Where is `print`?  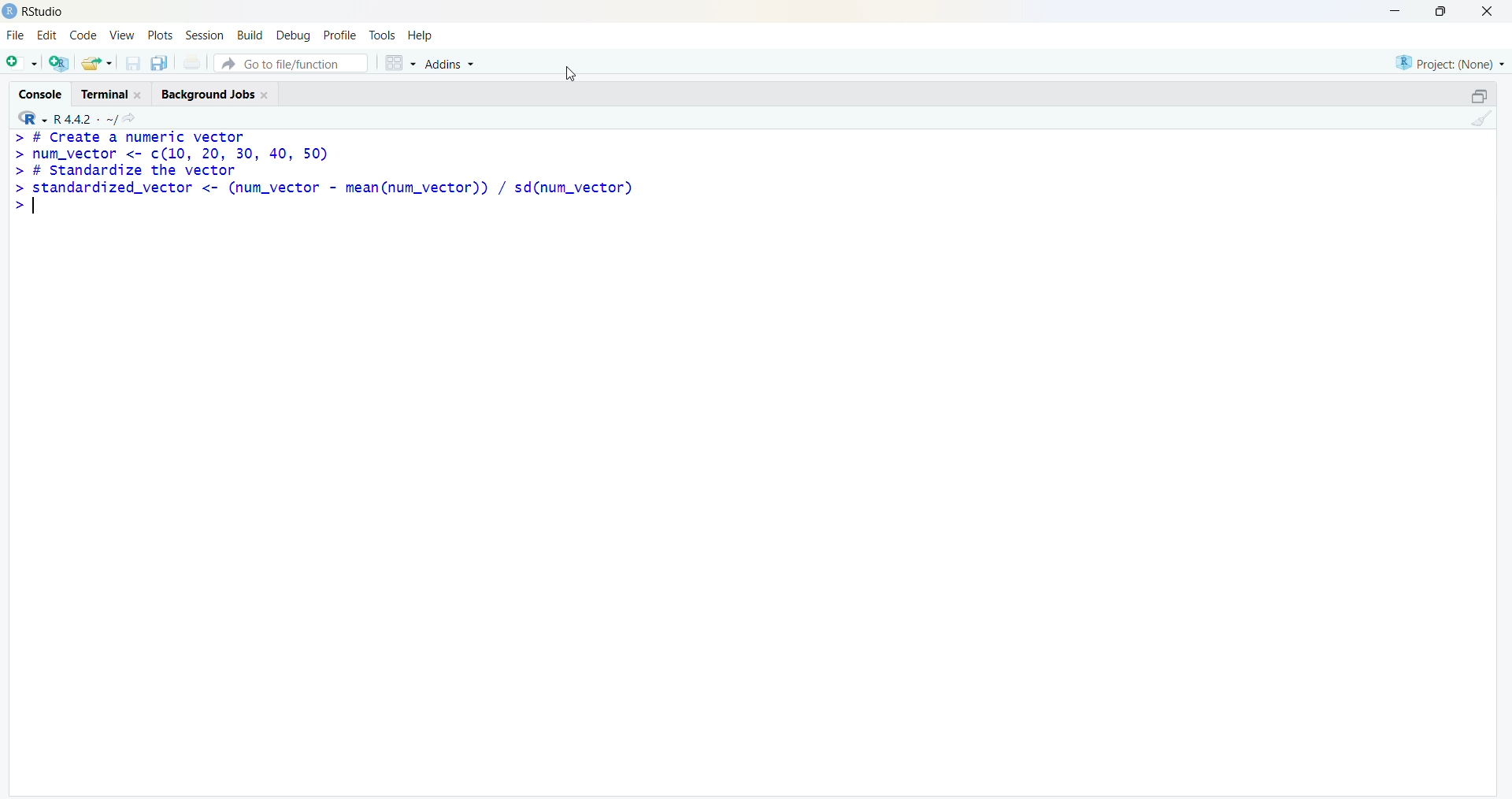 print is located at coordinates (192, 61).